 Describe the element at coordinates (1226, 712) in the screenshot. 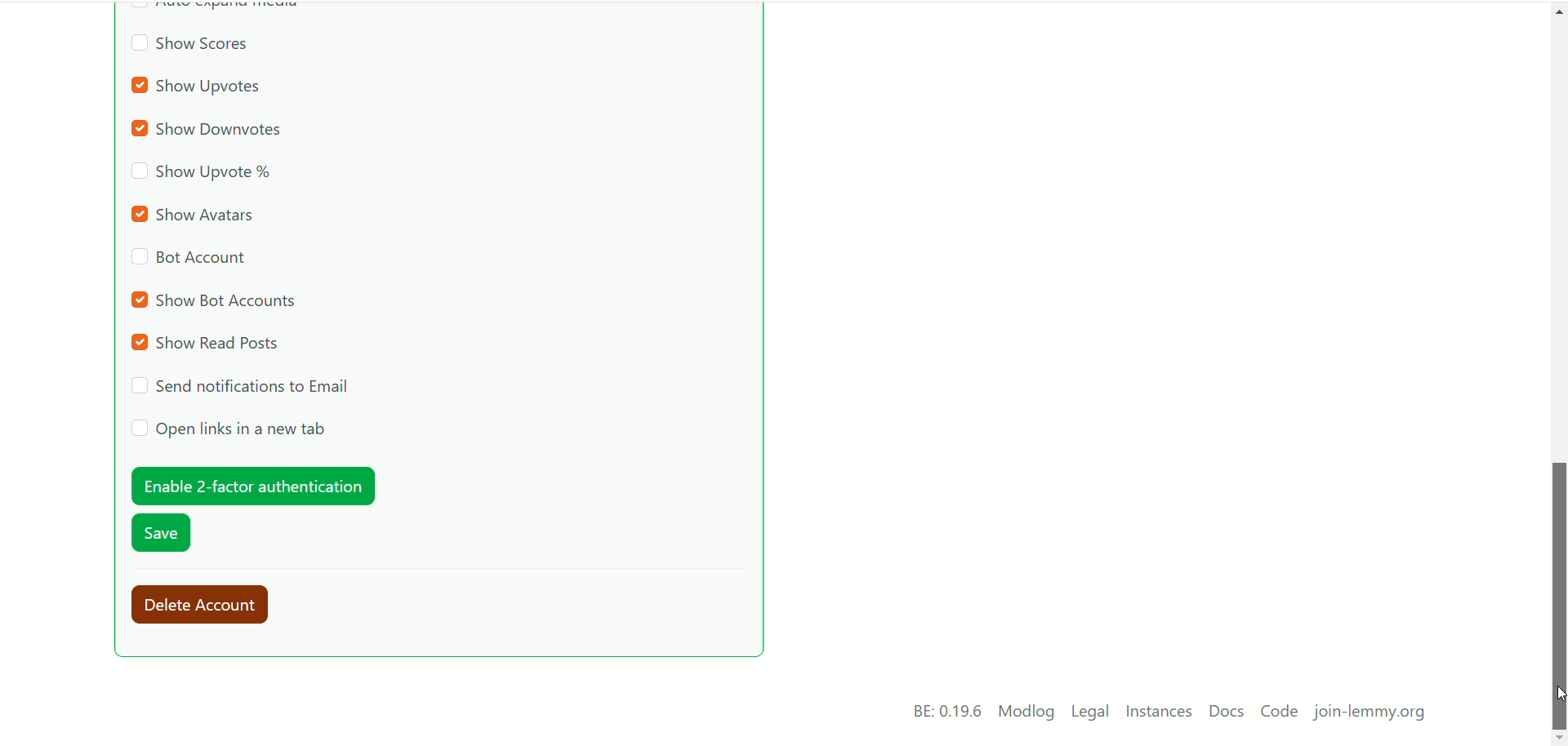

I see `docs` at that location.